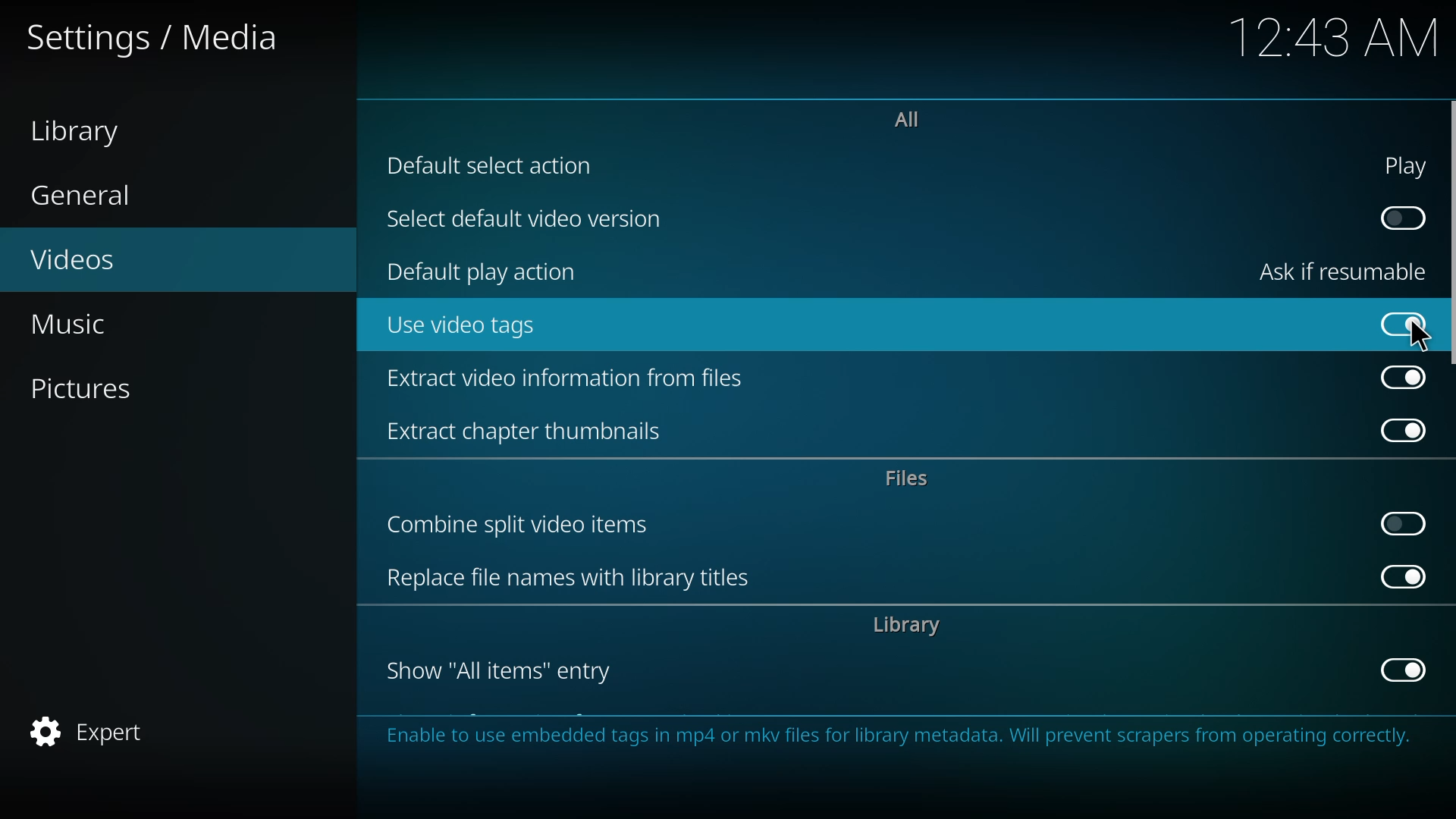 The image size is (1456, 819). I want to click on enabled, so click(1406, 323).